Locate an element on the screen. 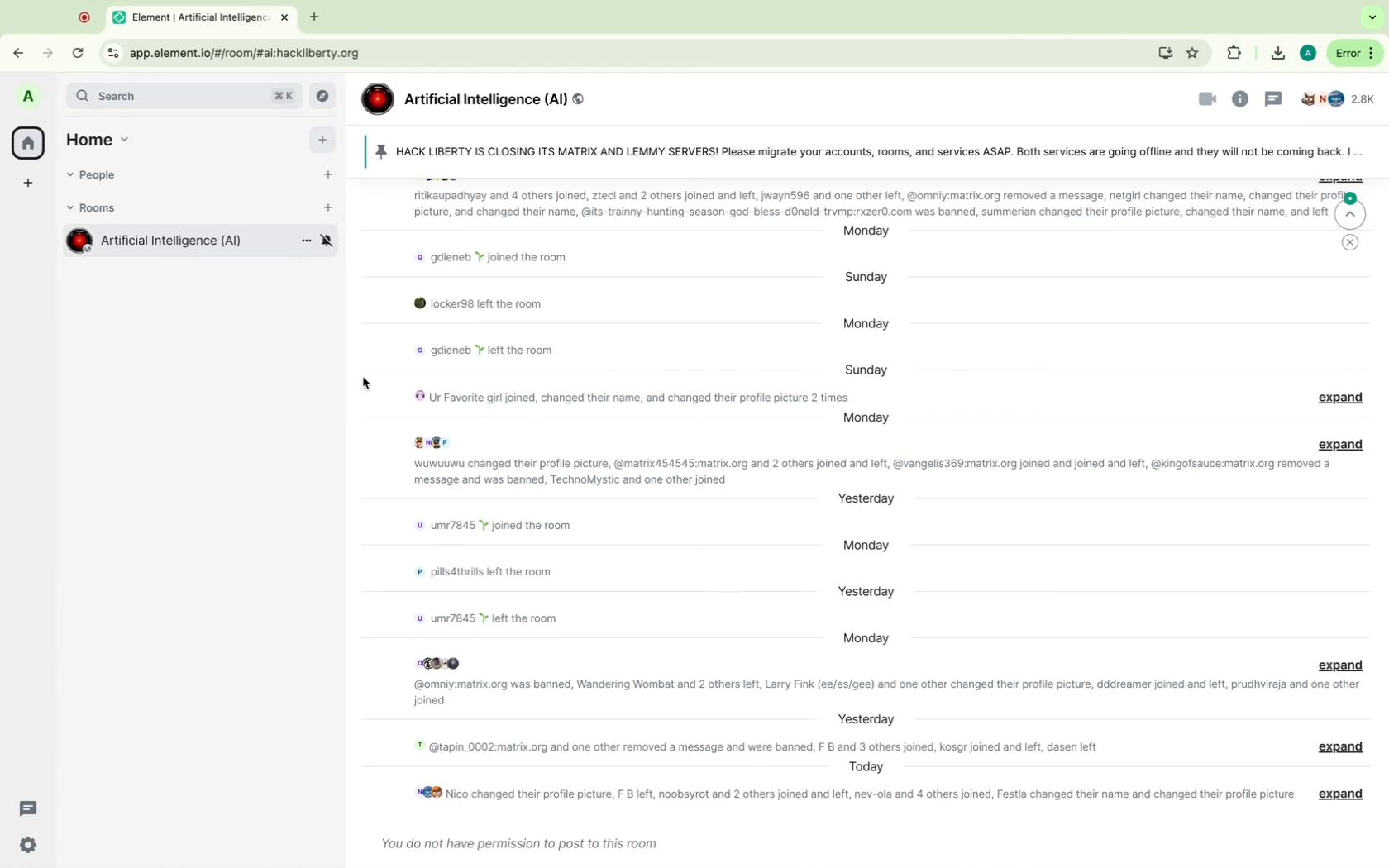 This screenshot has height=868, width=1389. favorites is located at coordinates (1193, 51).